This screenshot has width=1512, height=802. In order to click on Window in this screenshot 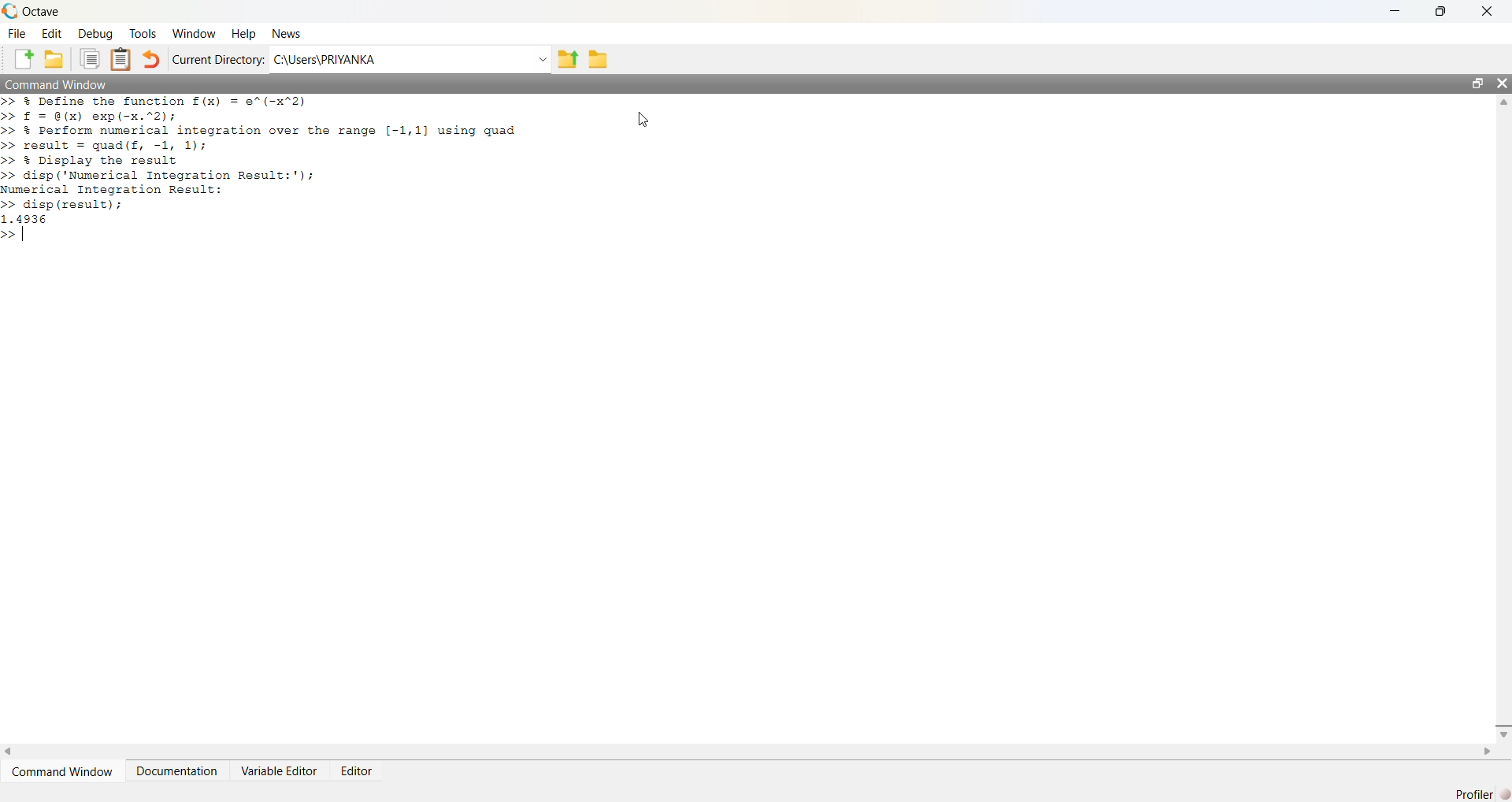, I will do `click(194, 32)`.